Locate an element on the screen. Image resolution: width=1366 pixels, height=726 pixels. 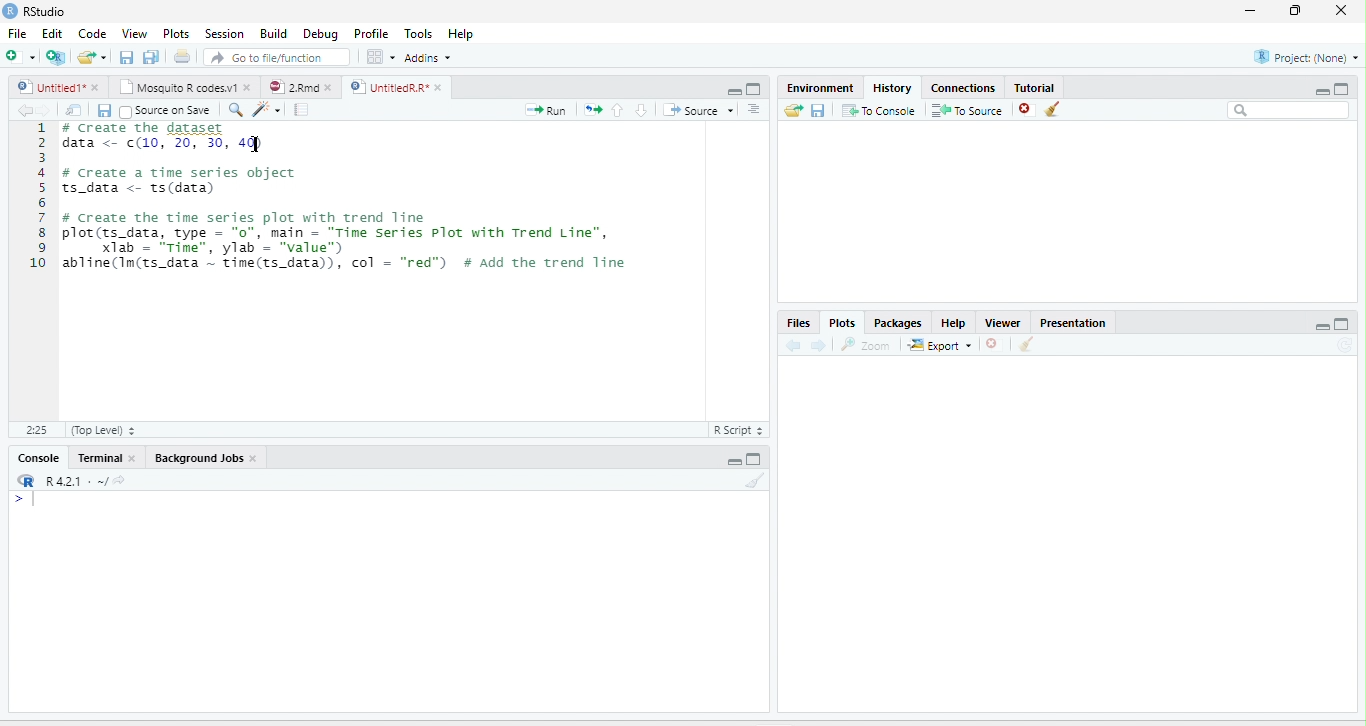
Plots is located at coordinates (176, 33).